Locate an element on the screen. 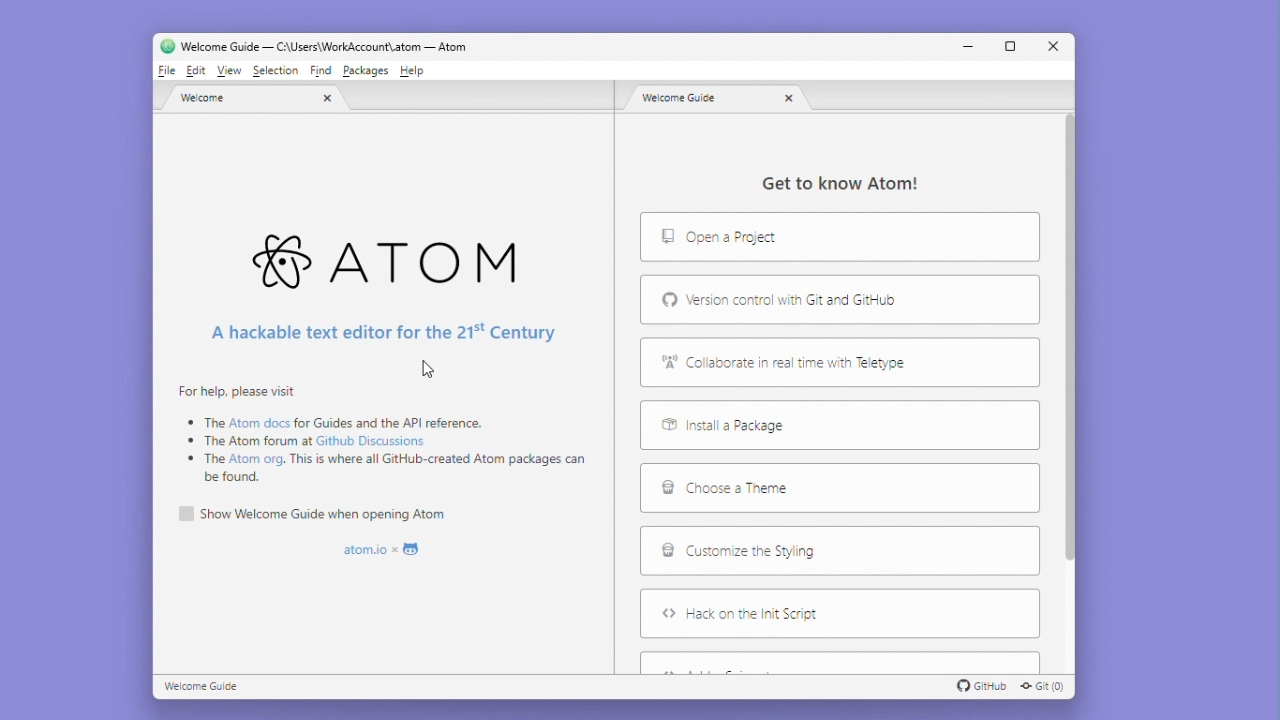 This screenshot has width=1280, height=720. Welcome is located at coordinates (257, 100).